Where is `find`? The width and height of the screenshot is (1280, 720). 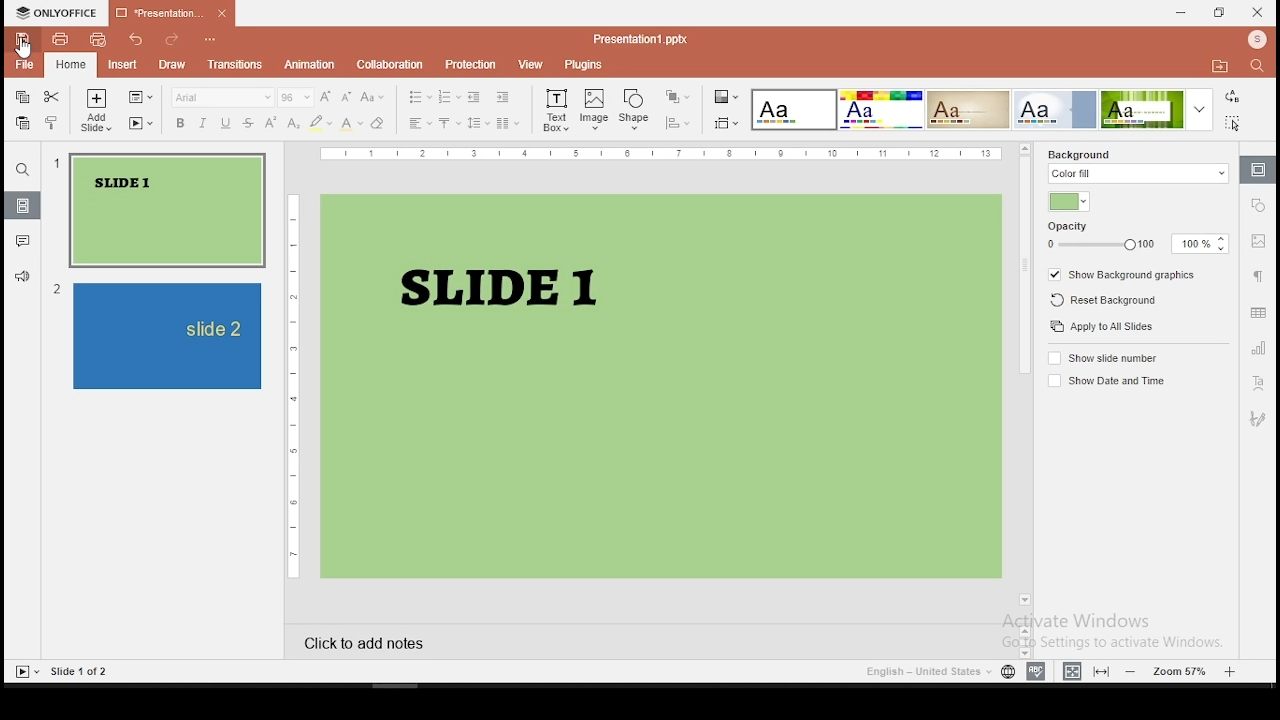 find is located at coordinates (21, 169).